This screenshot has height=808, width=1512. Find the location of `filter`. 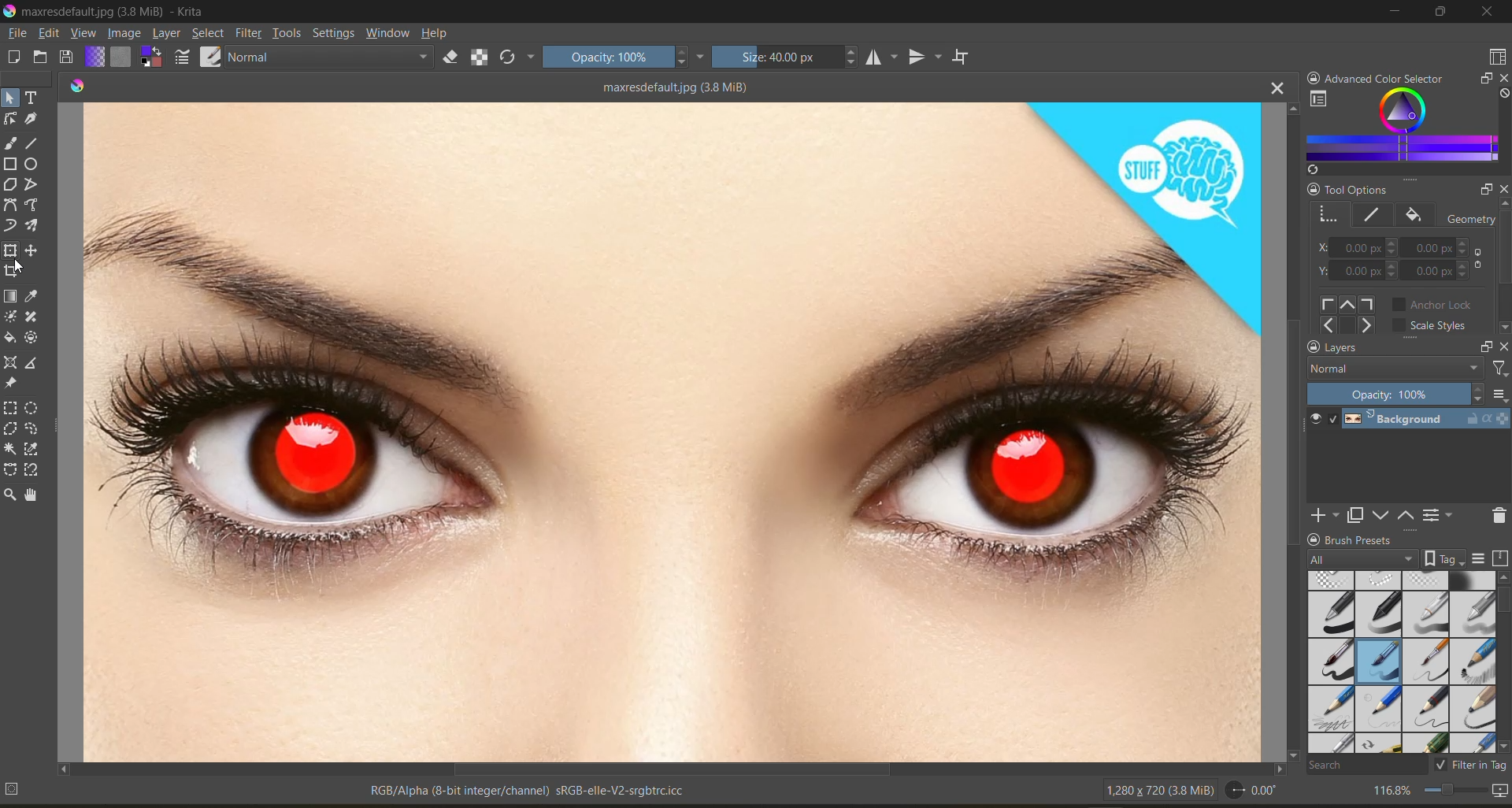

filter is located at coordinates (1498, 369).